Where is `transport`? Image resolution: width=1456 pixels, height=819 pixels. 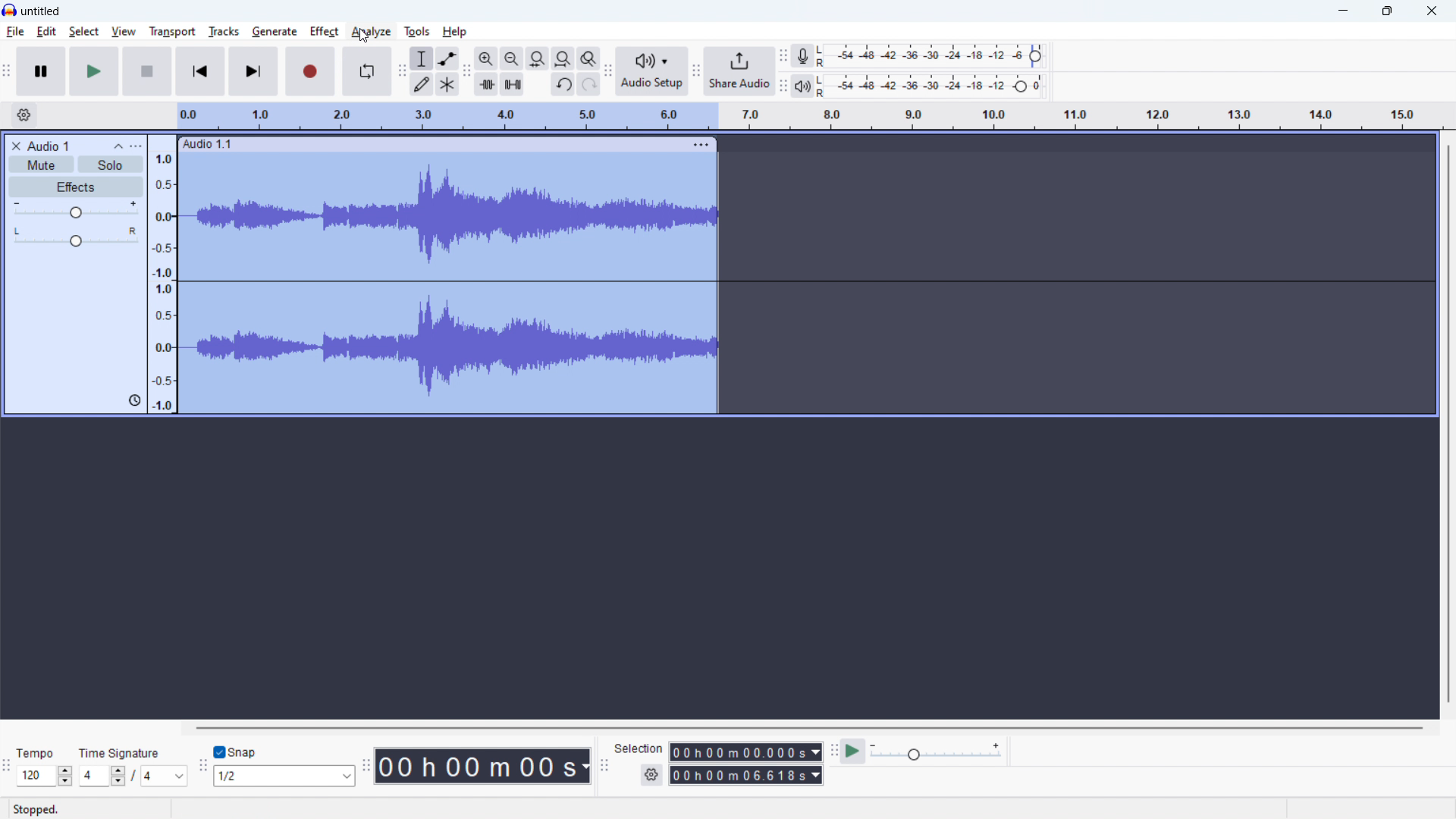 transport is located at coordinates (171, 31).